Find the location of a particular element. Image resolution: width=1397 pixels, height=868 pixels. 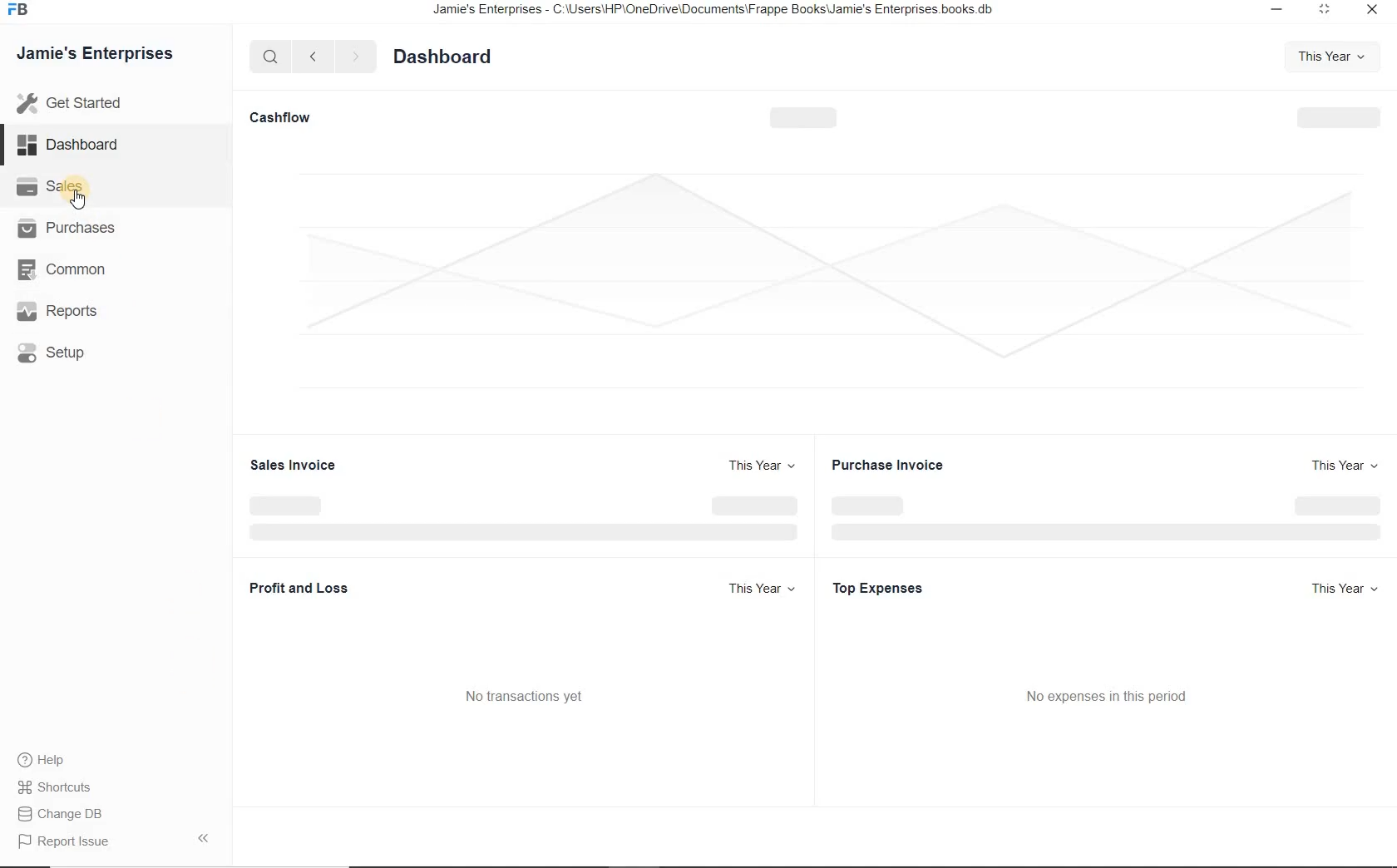

space for graph is located at coordinates (814, 279).